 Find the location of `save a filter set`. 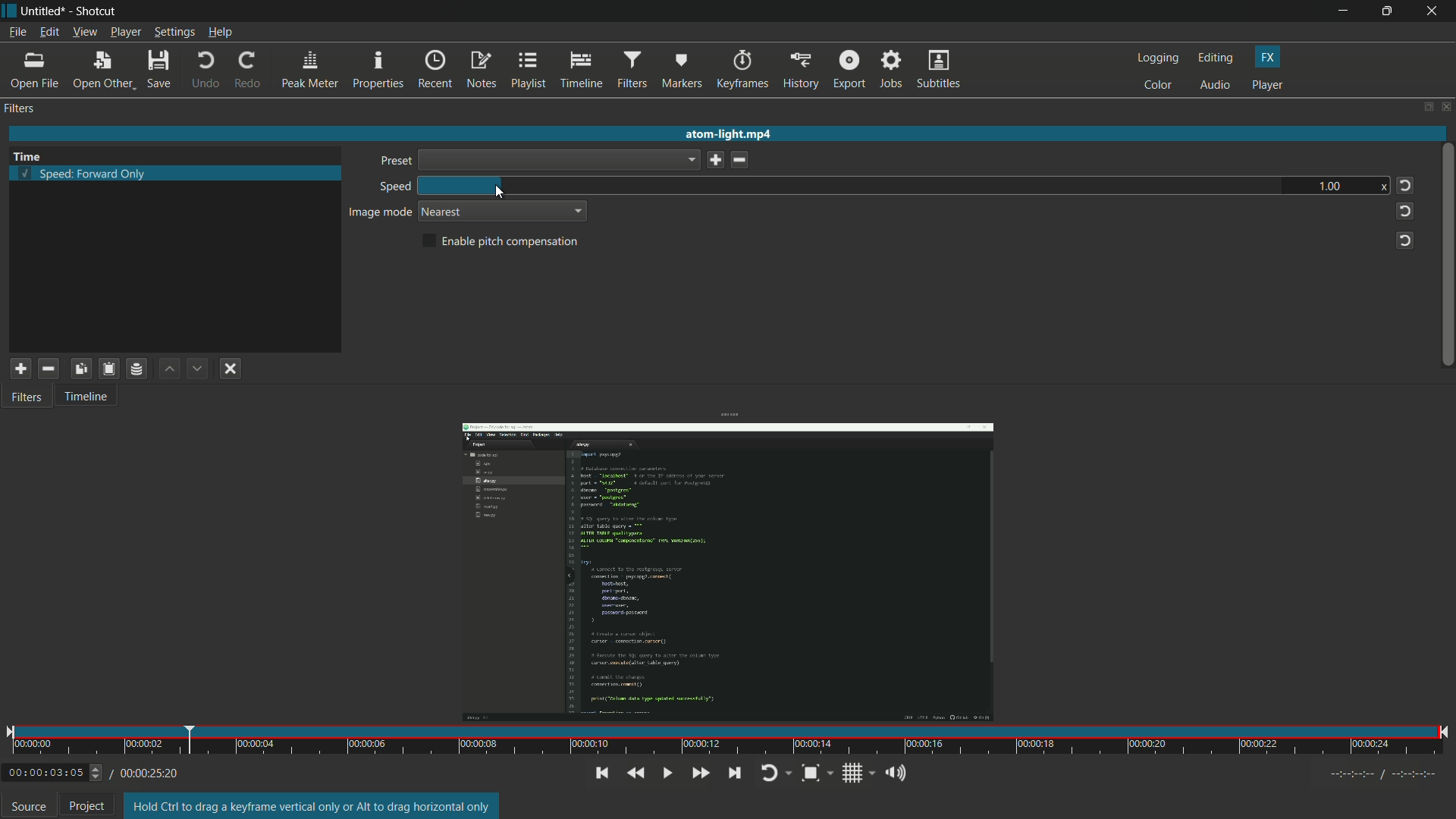

save a filter set is located at coordinates (135, 369).